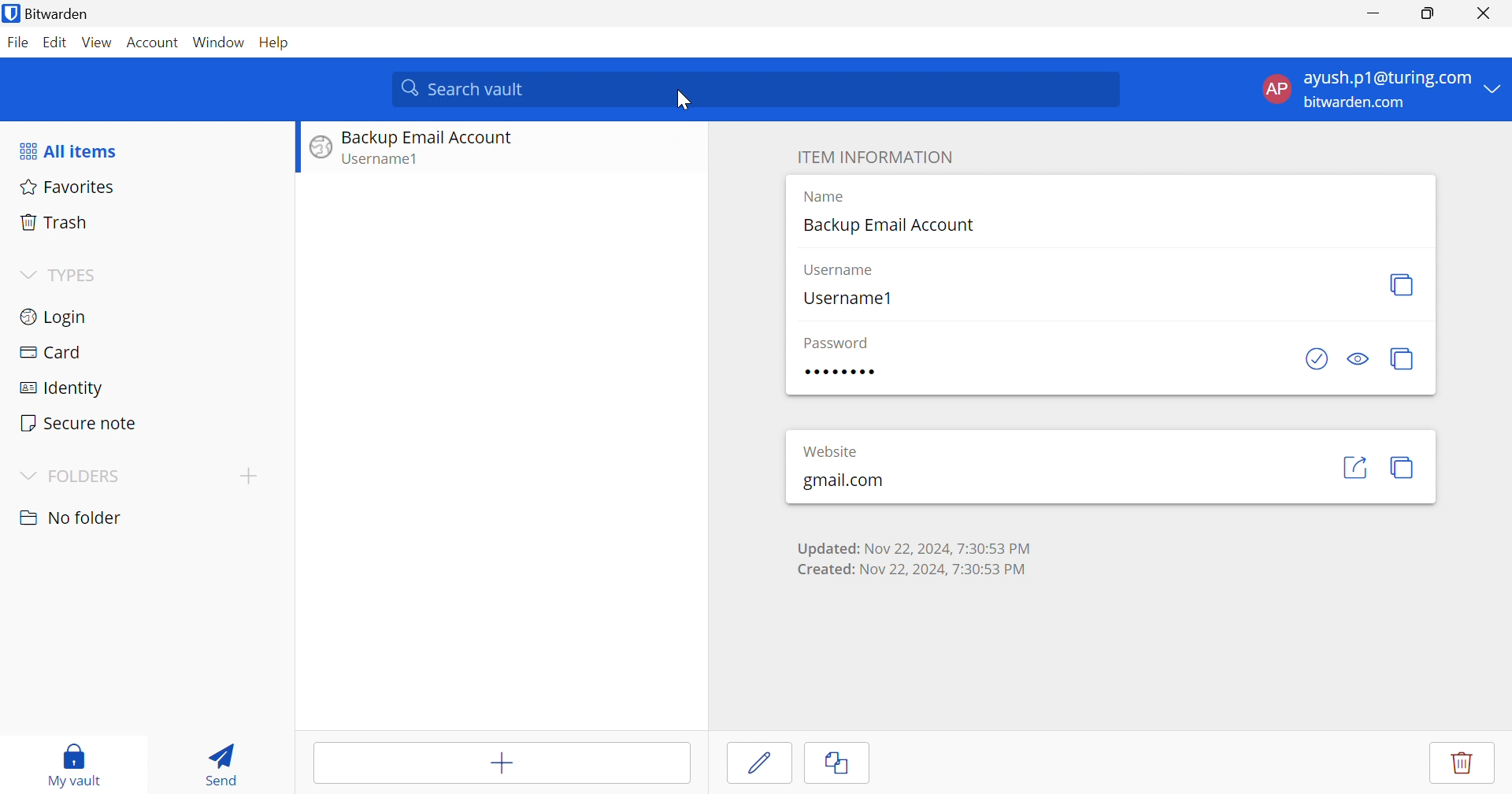 Image resolution: width=1512 pixels, height=794 pixels. What do you see at coordinates (1275, 89) in the screenshot?
I see `AP` at bounding box center [1275, 89].